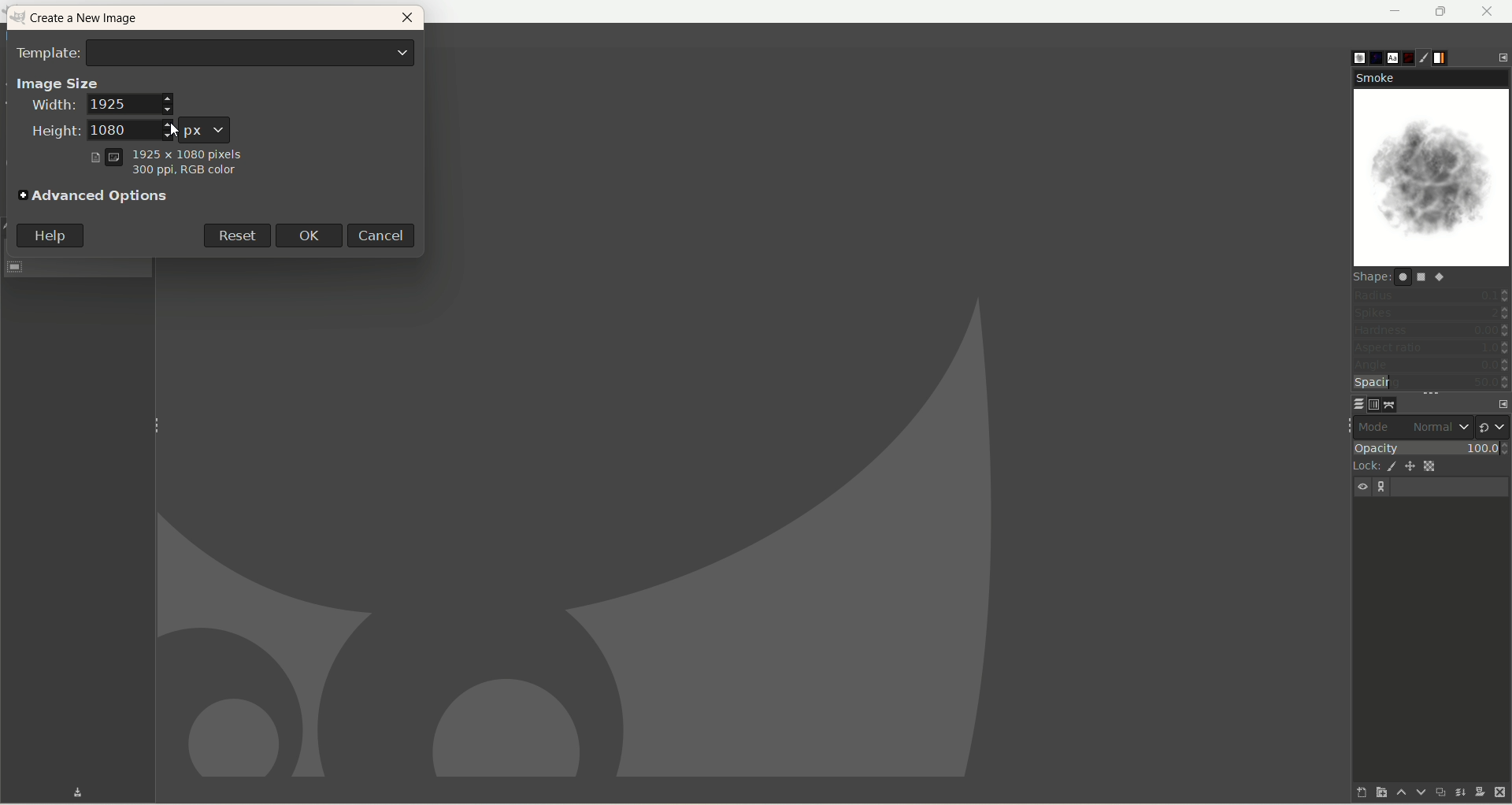  What do you see at coordinates (1503, 56) in the screenshot?
I see `configure this tab` at bounding box center [1503, 56].